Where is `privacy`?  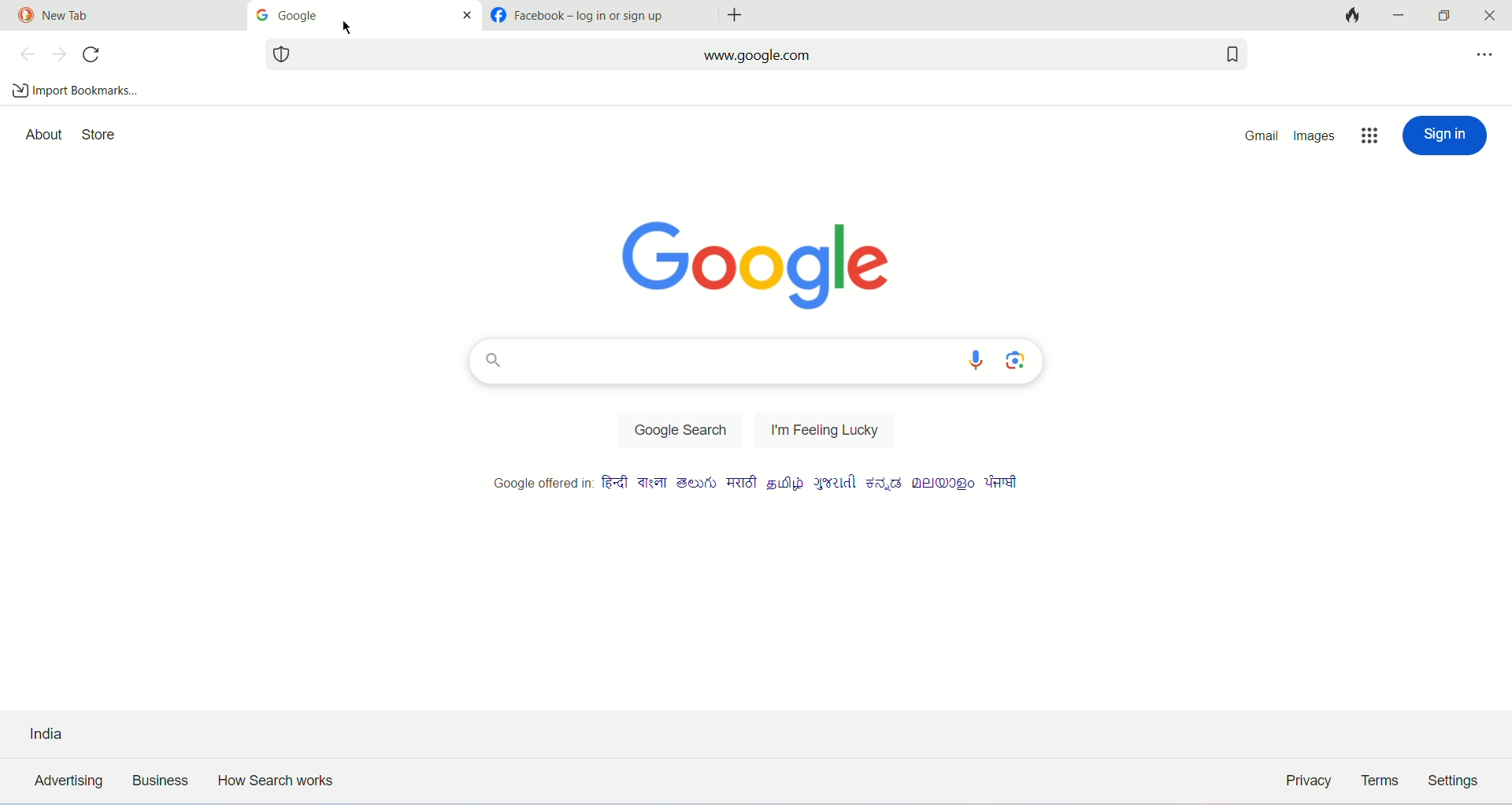
privacy is located at coordinates (1306, 782).